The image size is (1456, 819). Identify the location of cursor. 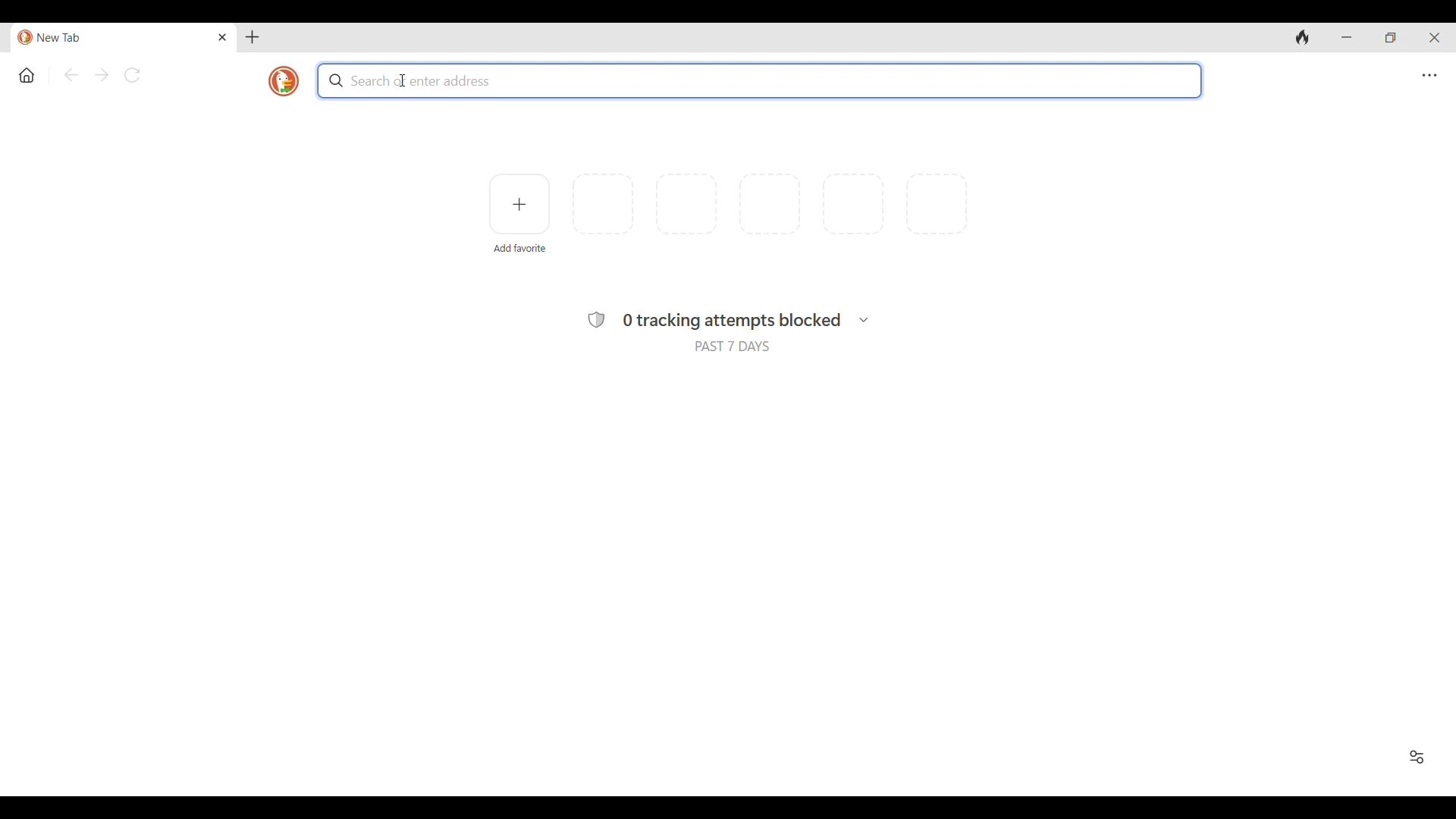
(403, 80).